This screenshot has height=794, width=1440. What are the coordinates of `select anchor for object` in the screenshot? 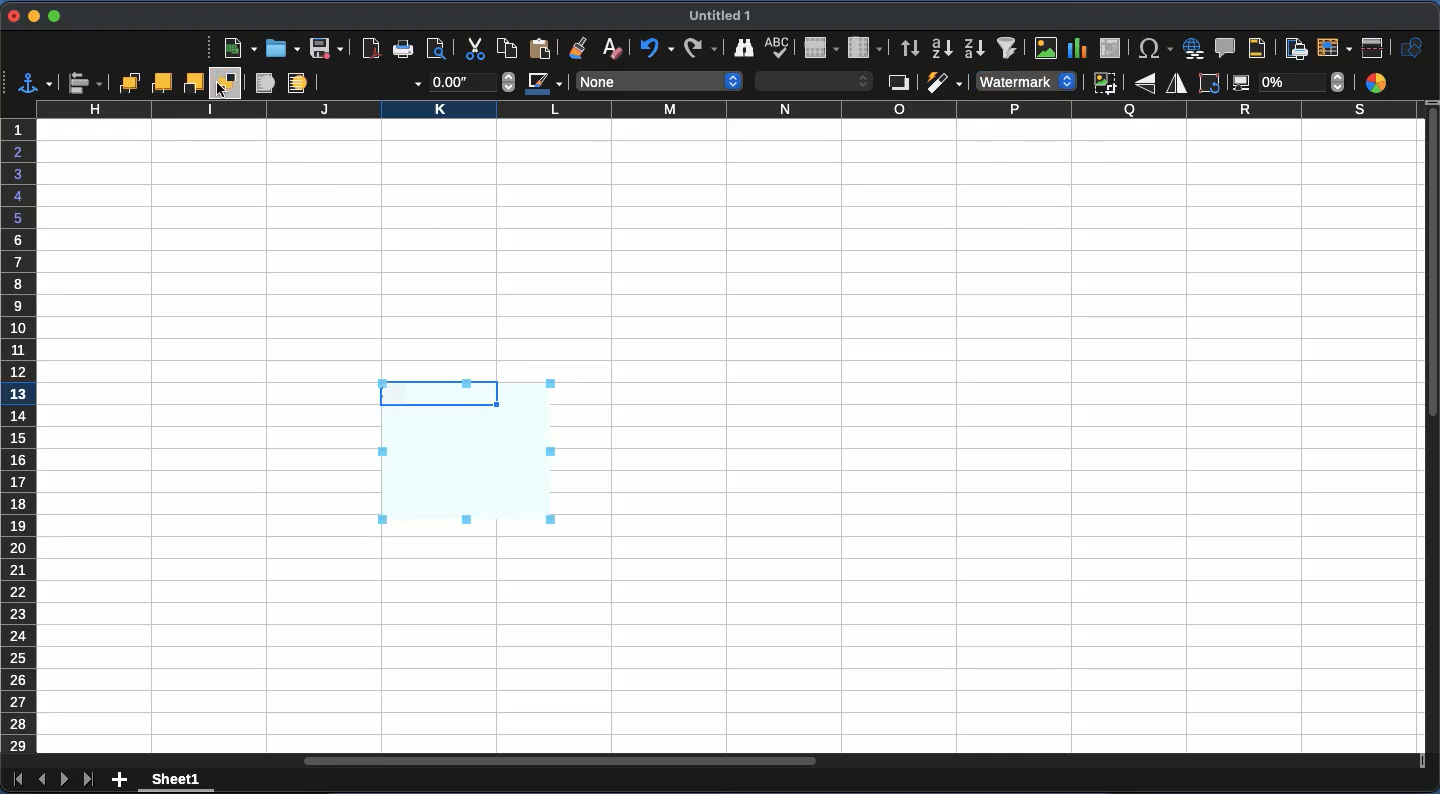 It's located at (35, 82).